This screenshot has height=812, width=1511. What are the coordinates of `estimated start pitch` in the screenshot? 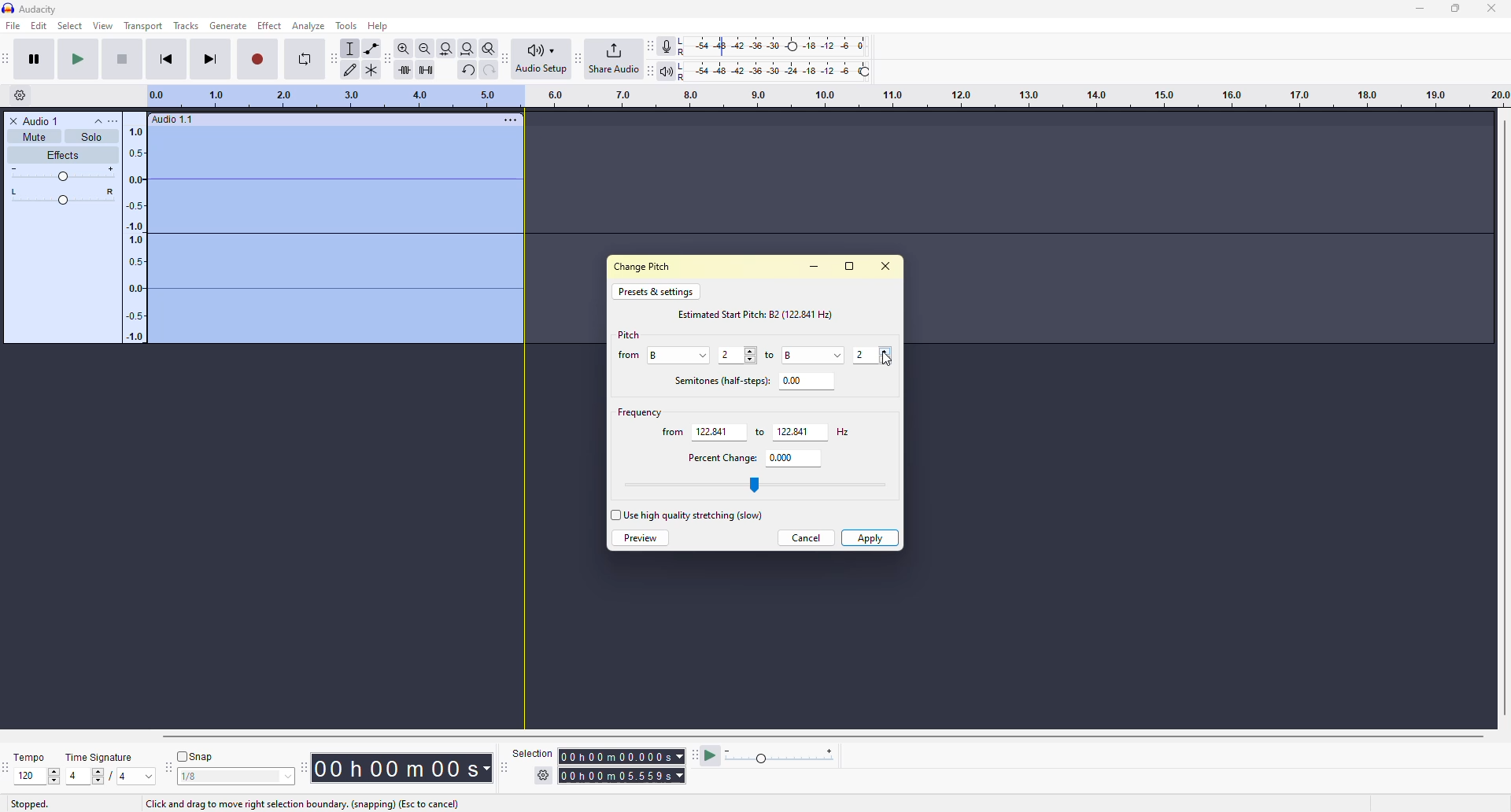 It's located at (759, 312).